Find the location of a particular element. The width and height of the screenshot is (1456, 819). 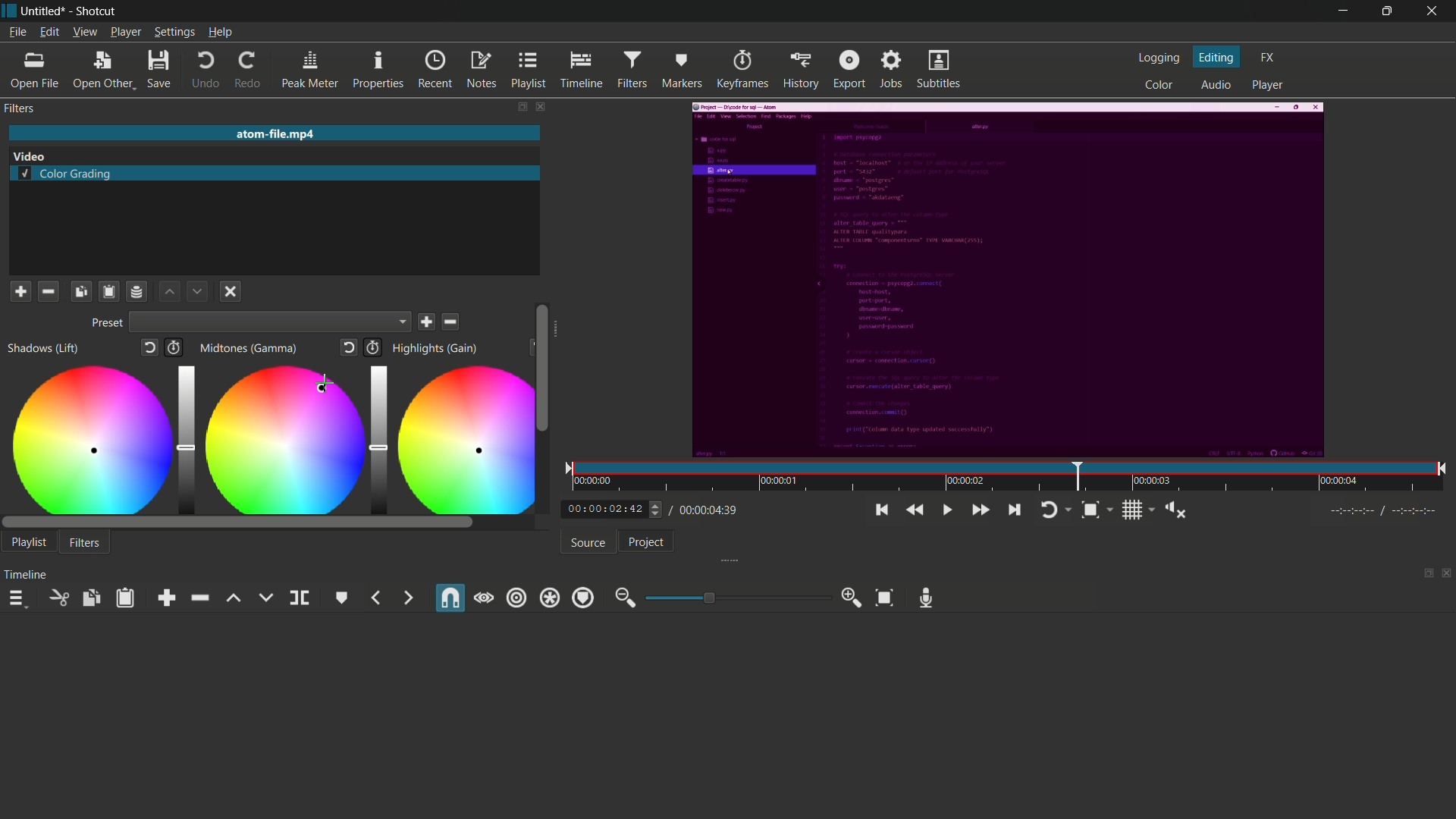

timeline is located at coordinates (579, 70).